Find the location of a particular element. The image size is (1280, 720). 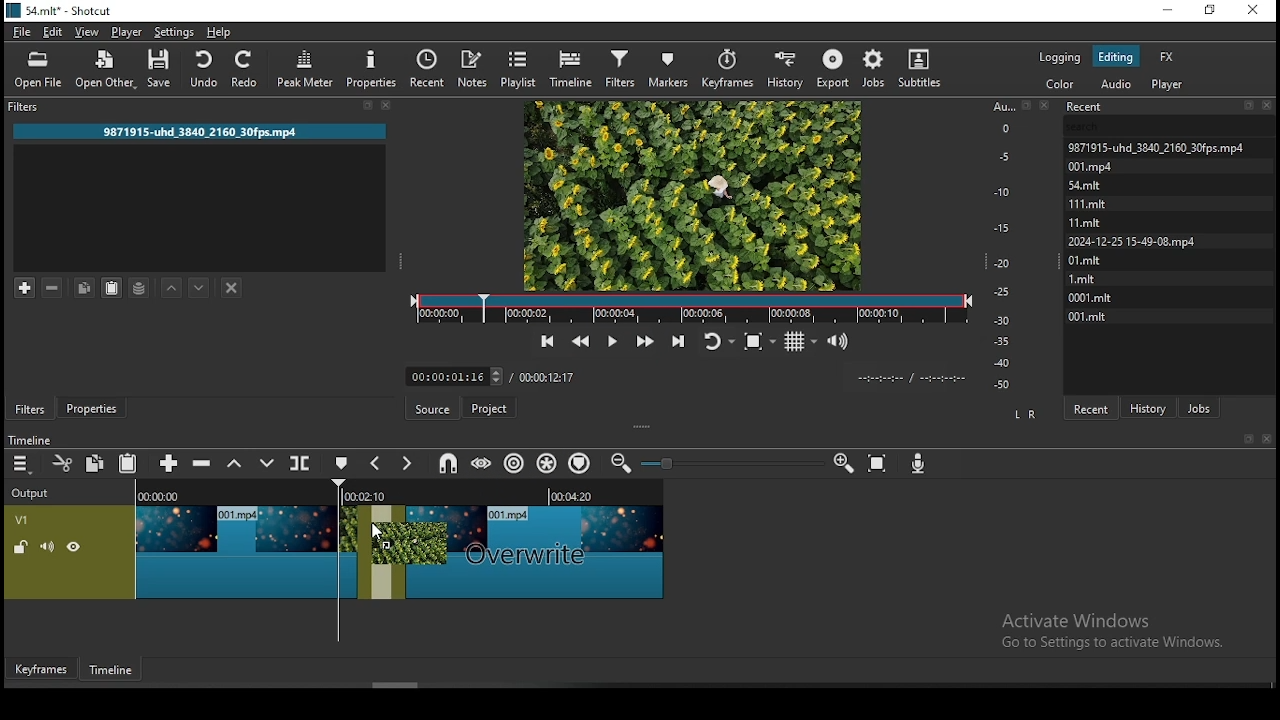

9871915-uhd 3840 2160 30fps.mp4 is located at coordinates (209, 133).